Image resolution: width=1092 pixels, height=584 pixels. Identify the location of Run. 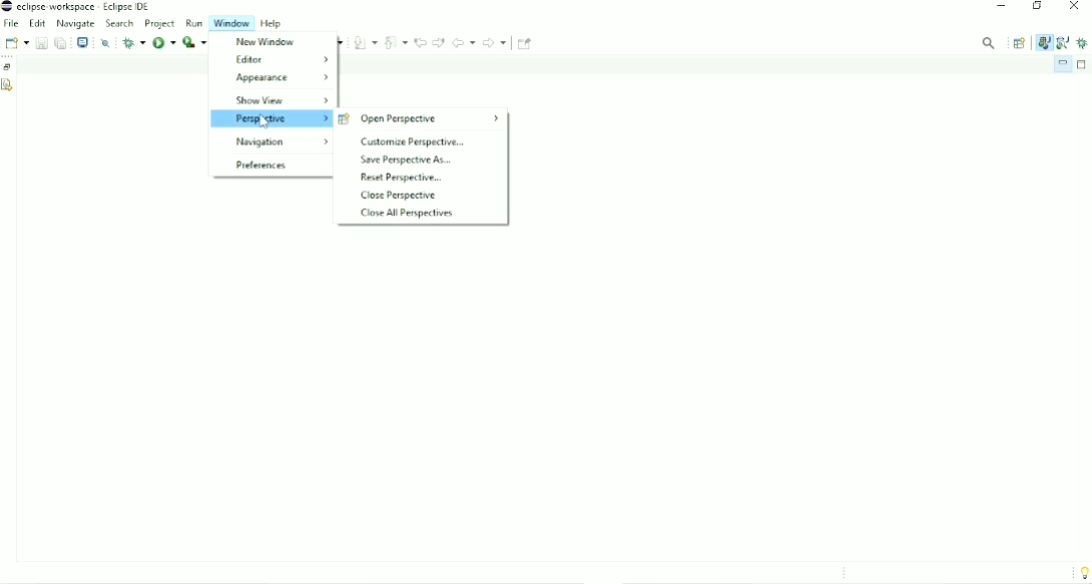
(164, 43).